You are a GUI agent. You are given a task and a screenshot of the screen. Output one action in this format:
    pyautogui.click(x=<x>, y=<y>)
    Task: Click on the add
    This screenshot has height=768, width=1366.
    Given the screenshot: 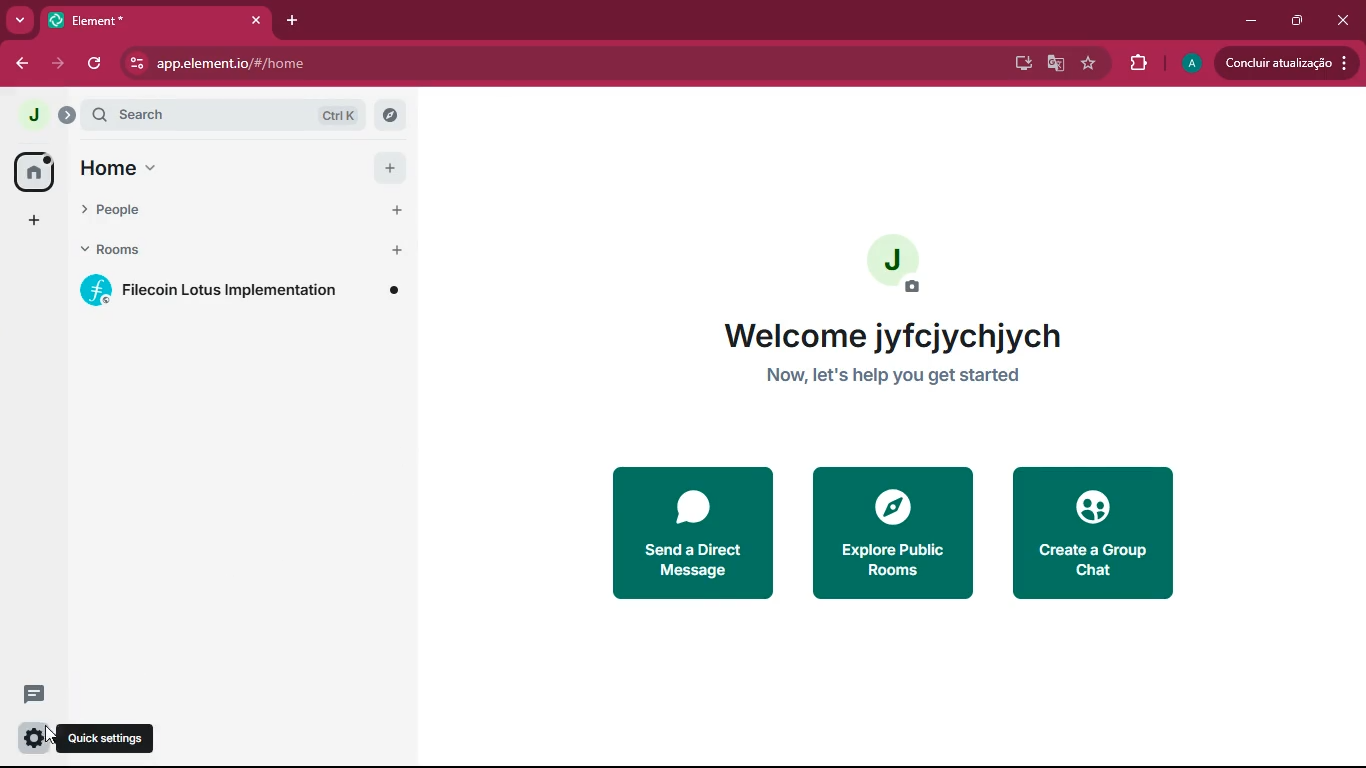 What is the action you would take?
    pyautogui.click(x=397, y=251)
    